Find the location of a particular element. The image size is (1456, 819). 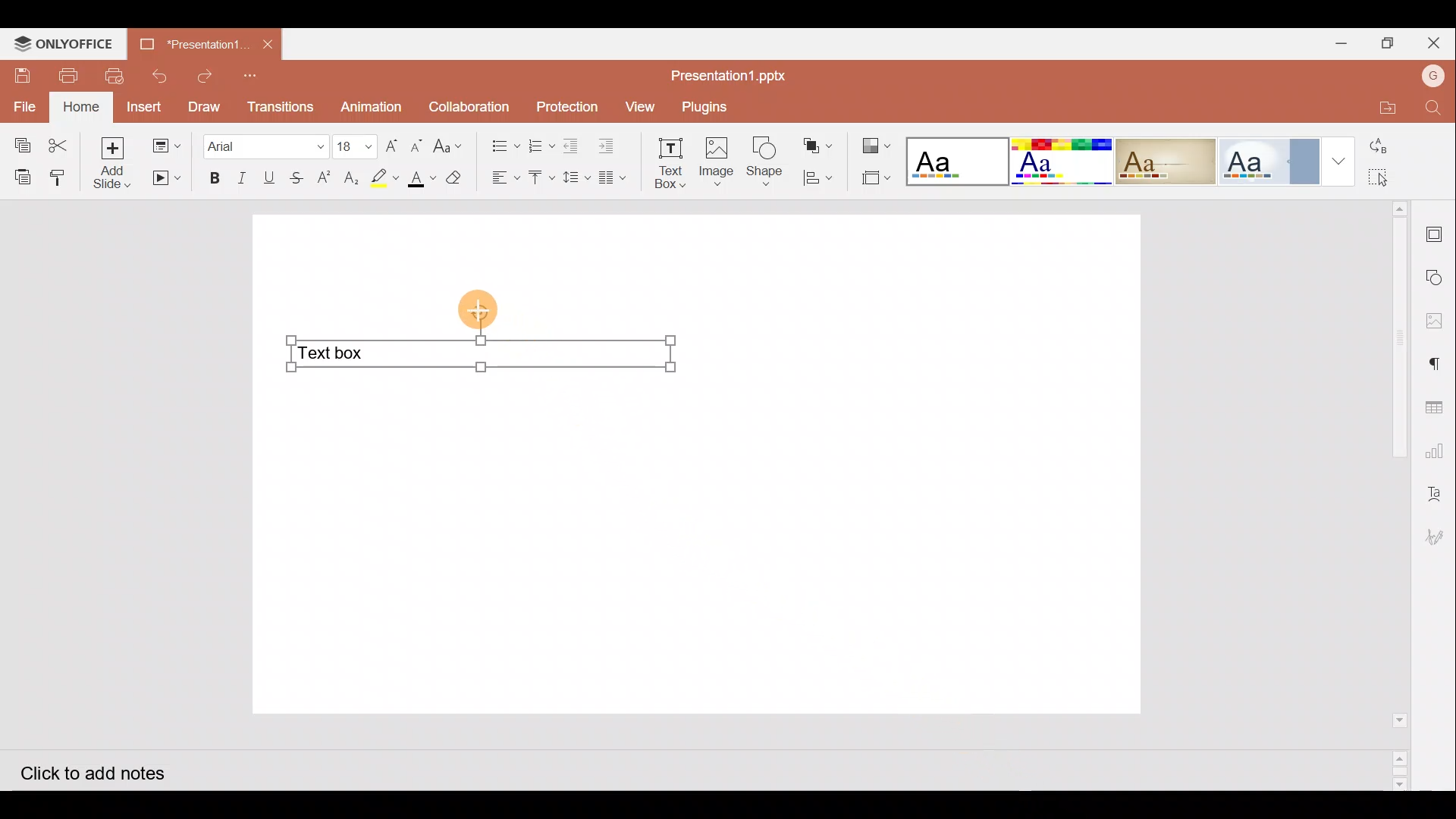

Signature settings is located at coordinates (1436, 539).